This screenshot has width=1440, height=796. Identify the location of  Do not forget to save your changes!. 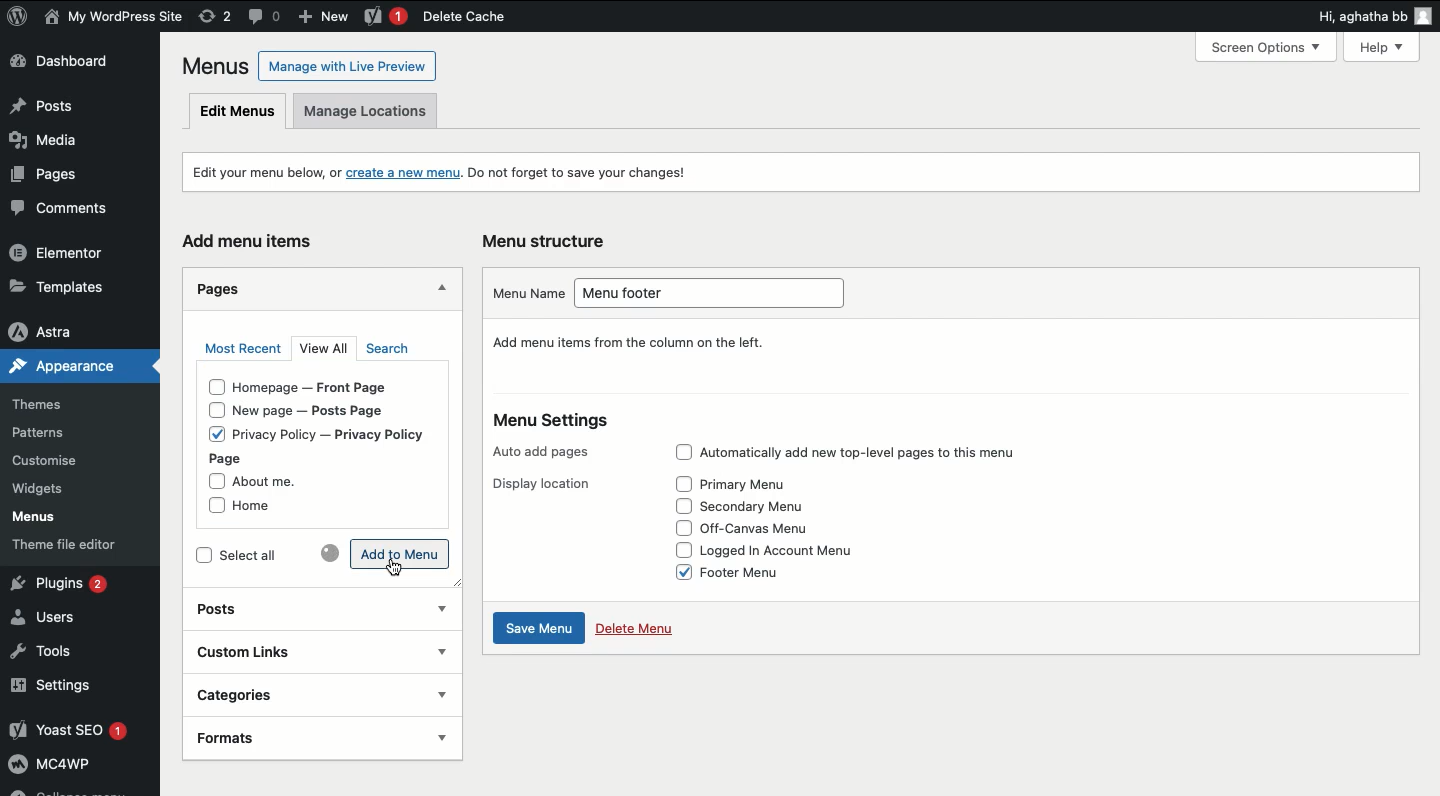
(593, 174).